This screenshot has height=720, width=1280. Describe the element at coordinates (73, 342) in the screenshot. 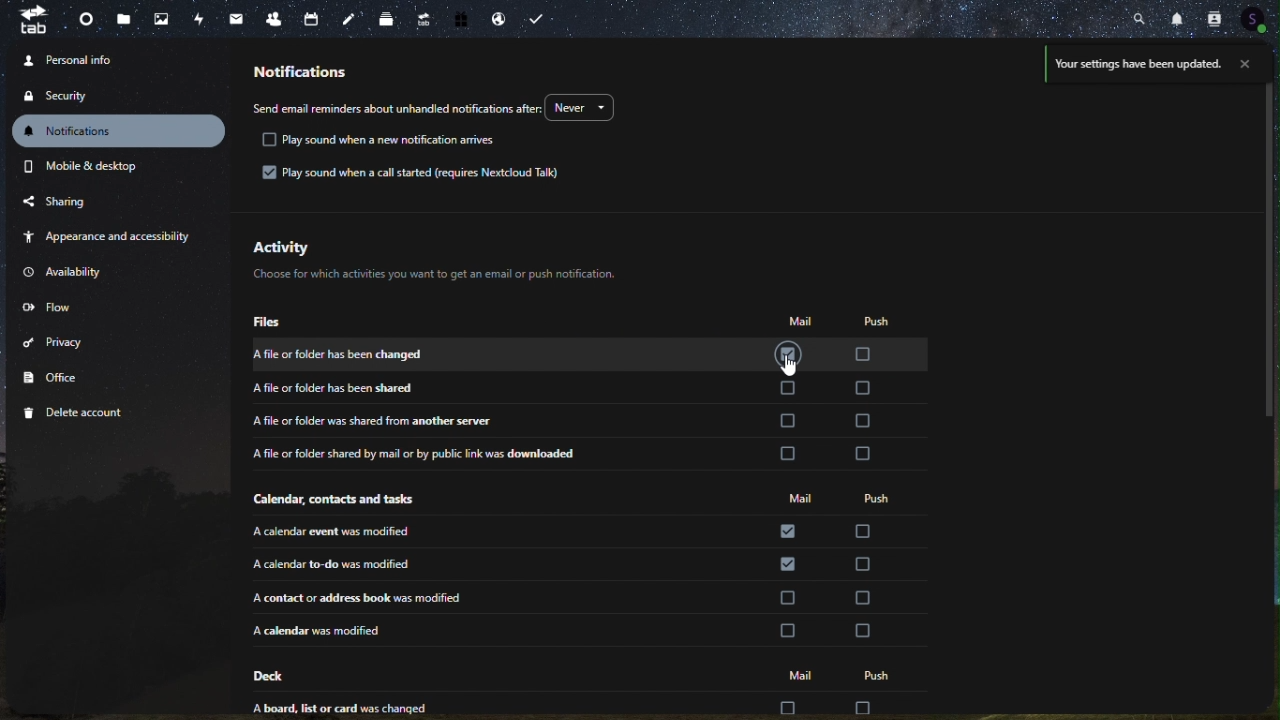

I see `privacy` at that location.